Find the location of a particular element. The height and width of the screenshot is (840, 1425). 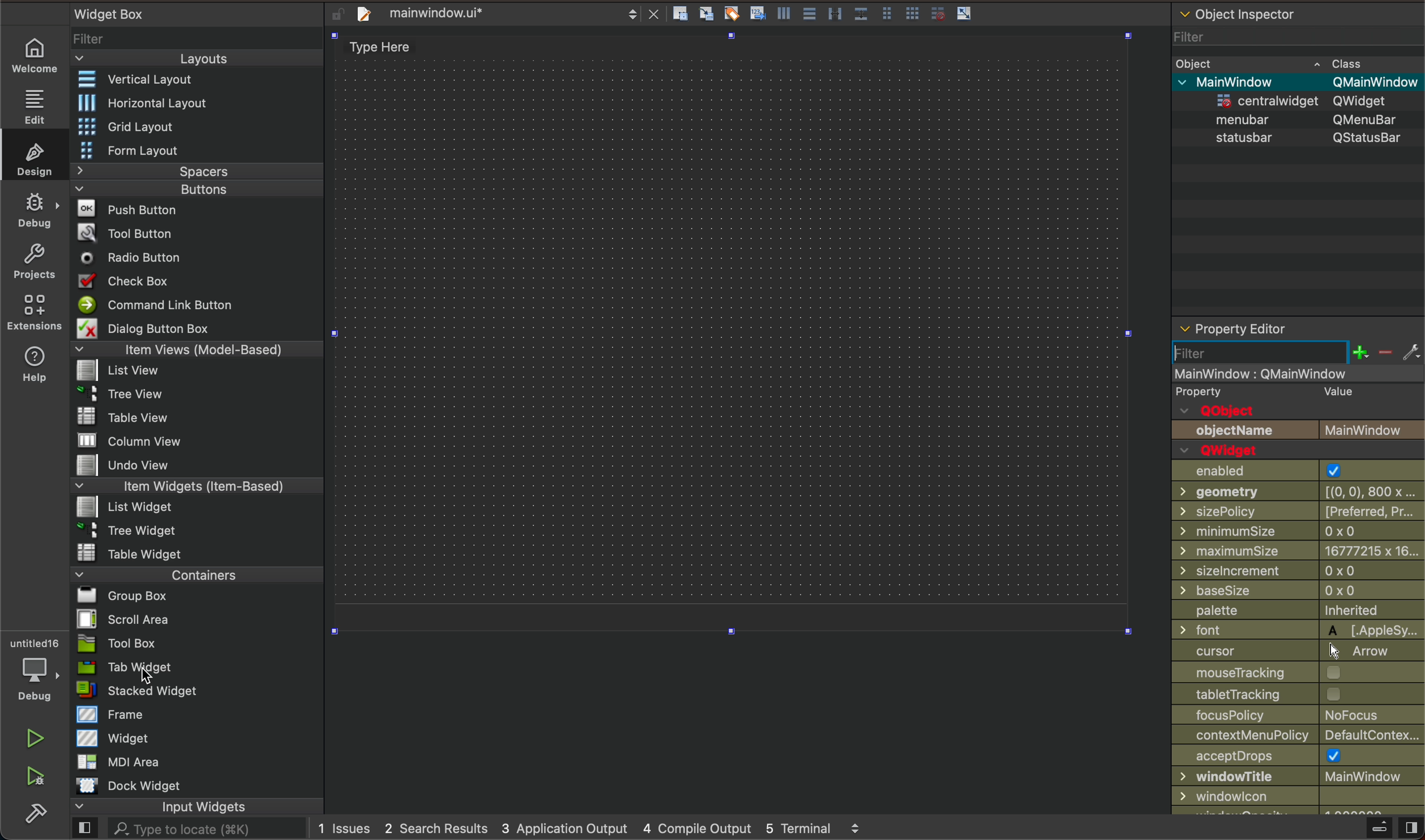

base size is located at coordinates (1298, 589).